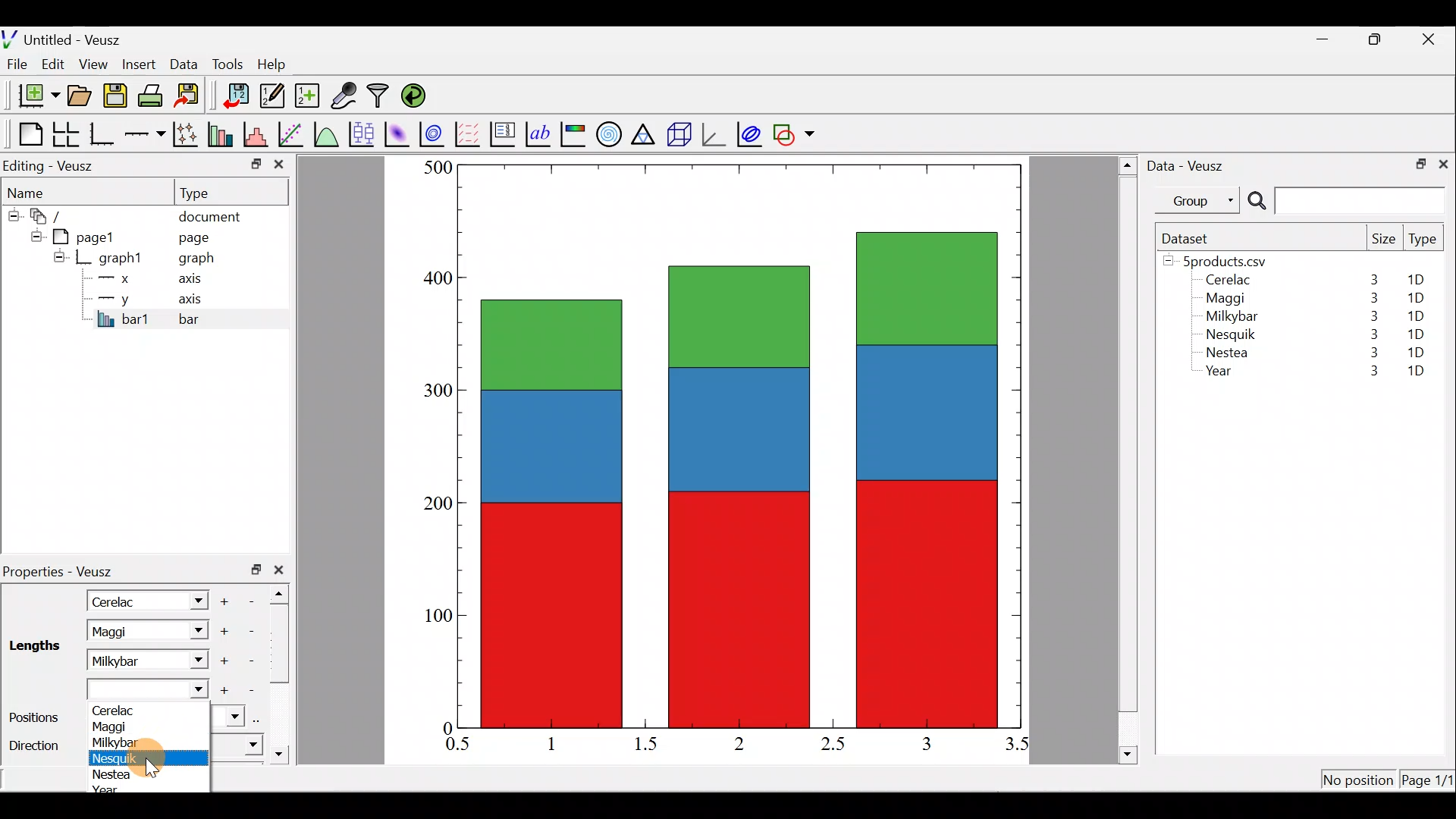  What do you see at coordinates (33, 234) in the screenshot?
I see `hide` at bounding box center [33, 234].